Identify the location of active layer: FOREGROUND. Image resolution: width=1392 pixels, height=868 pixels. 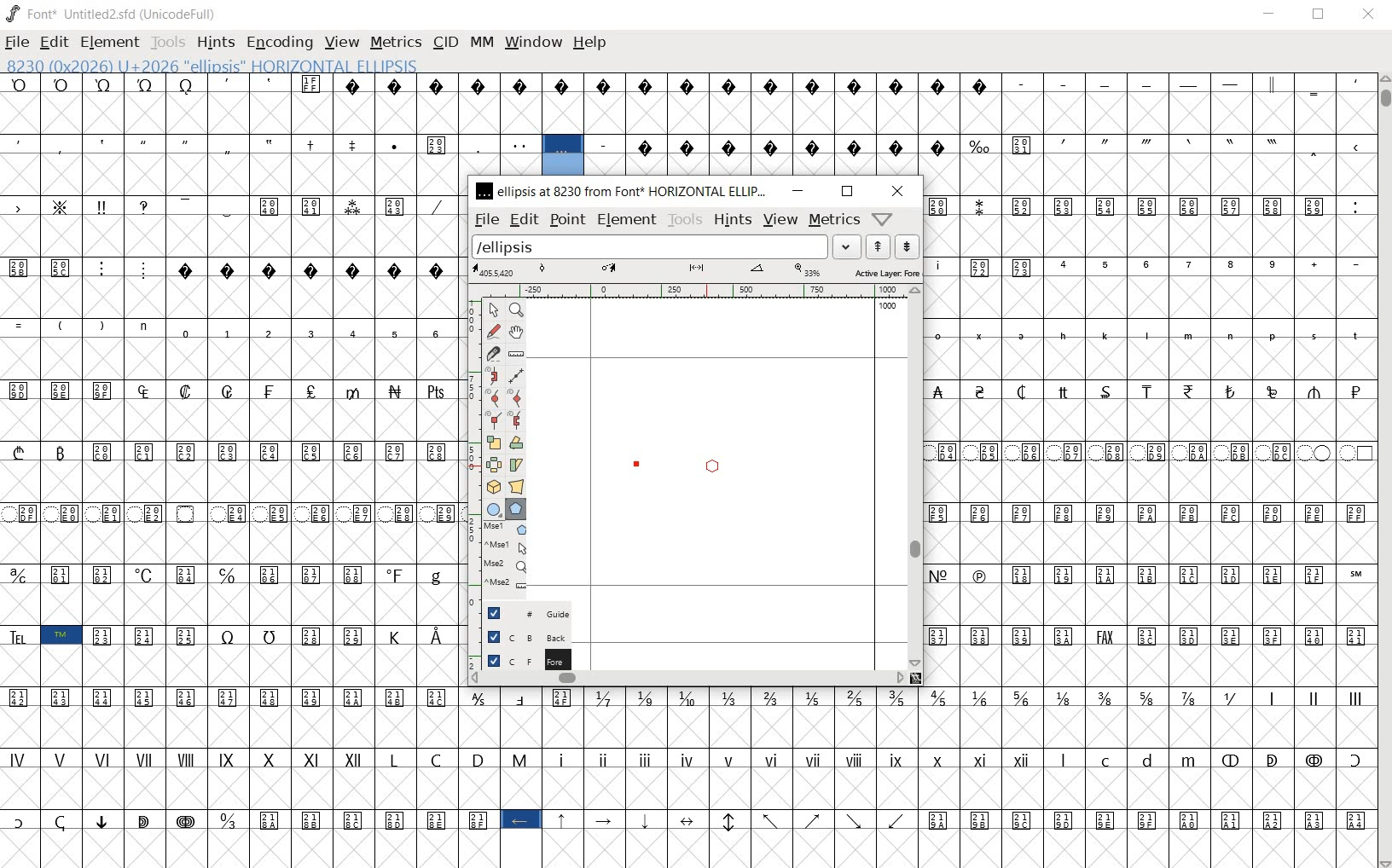
(698, 271).